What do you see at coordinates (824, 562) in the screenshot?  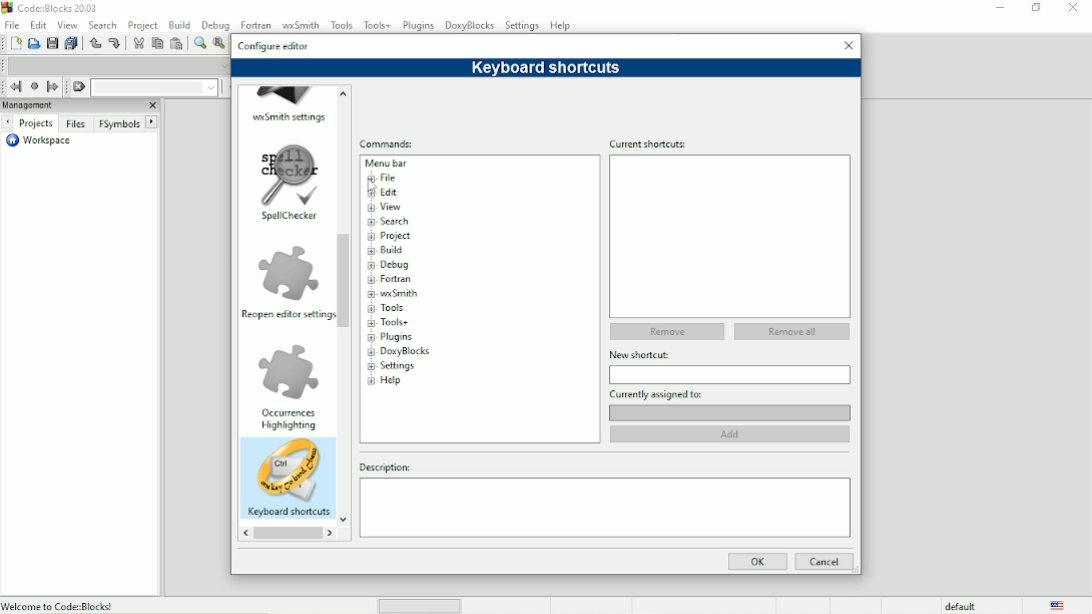 I see `Cancel` at bounding box center [824, 562].